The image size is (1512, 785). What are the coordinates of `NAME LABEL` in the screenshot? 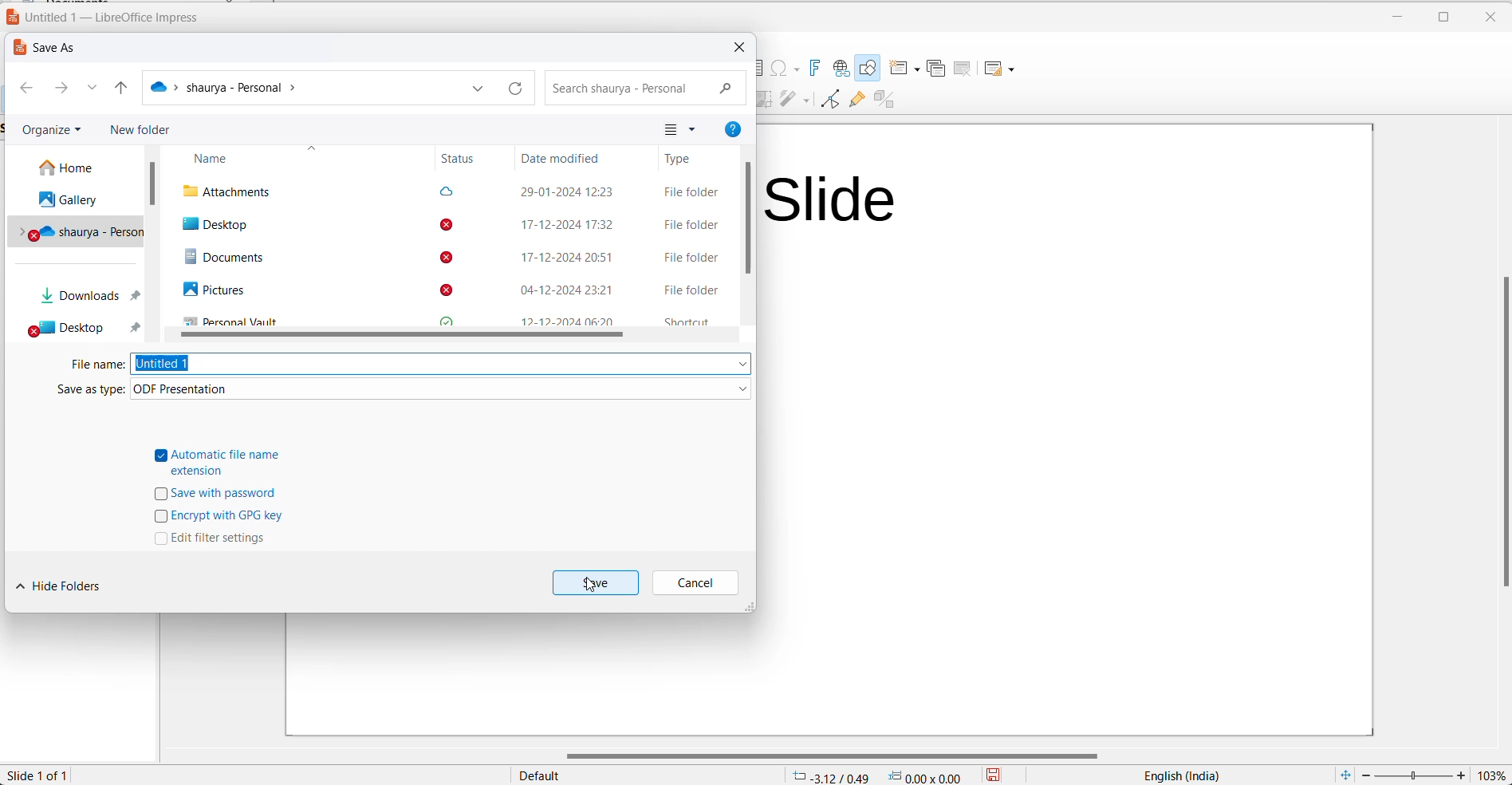 It's located at (293, 157).